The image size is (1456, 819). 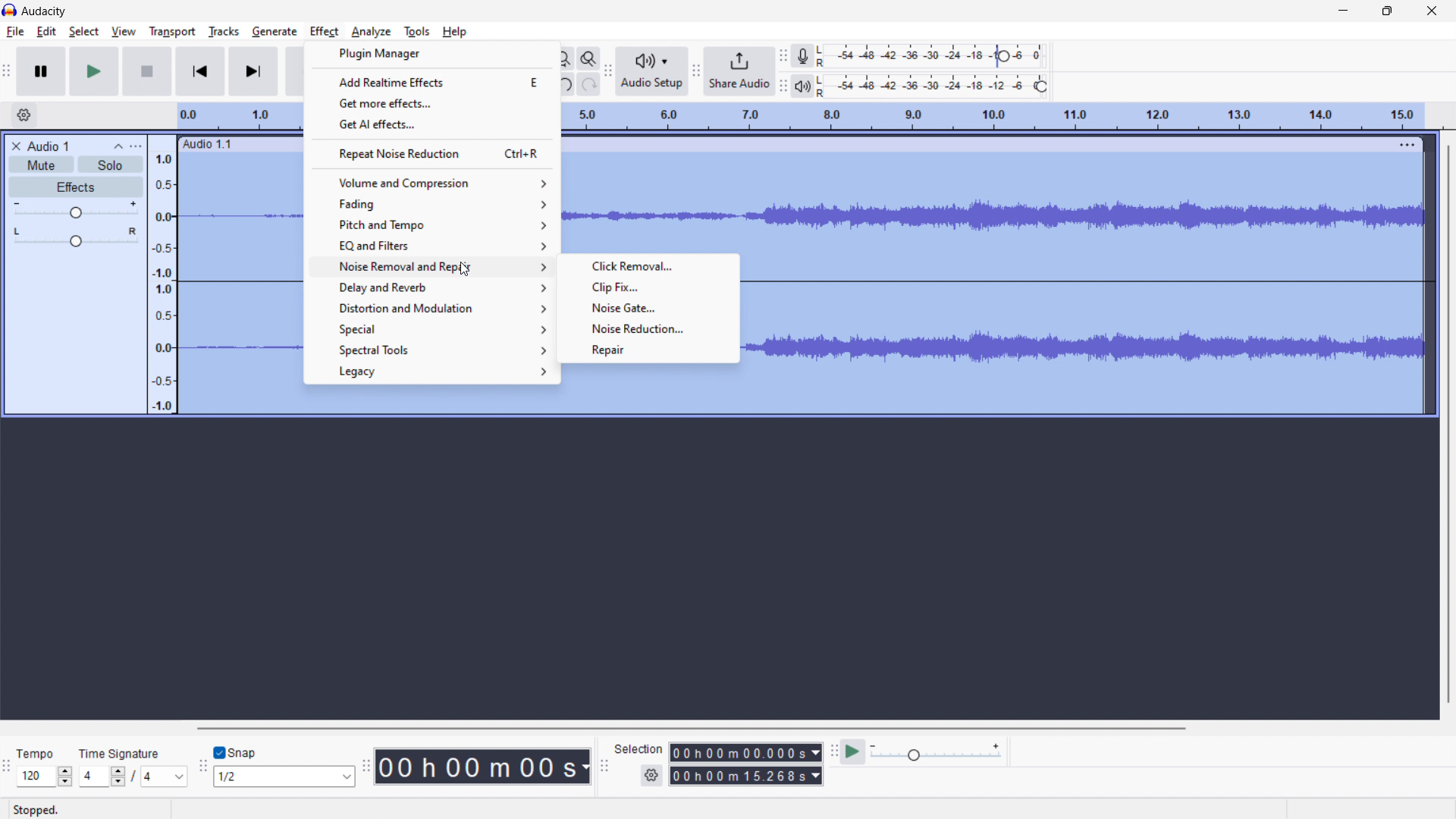 I want to click on settings, so click(x=651, y=776).